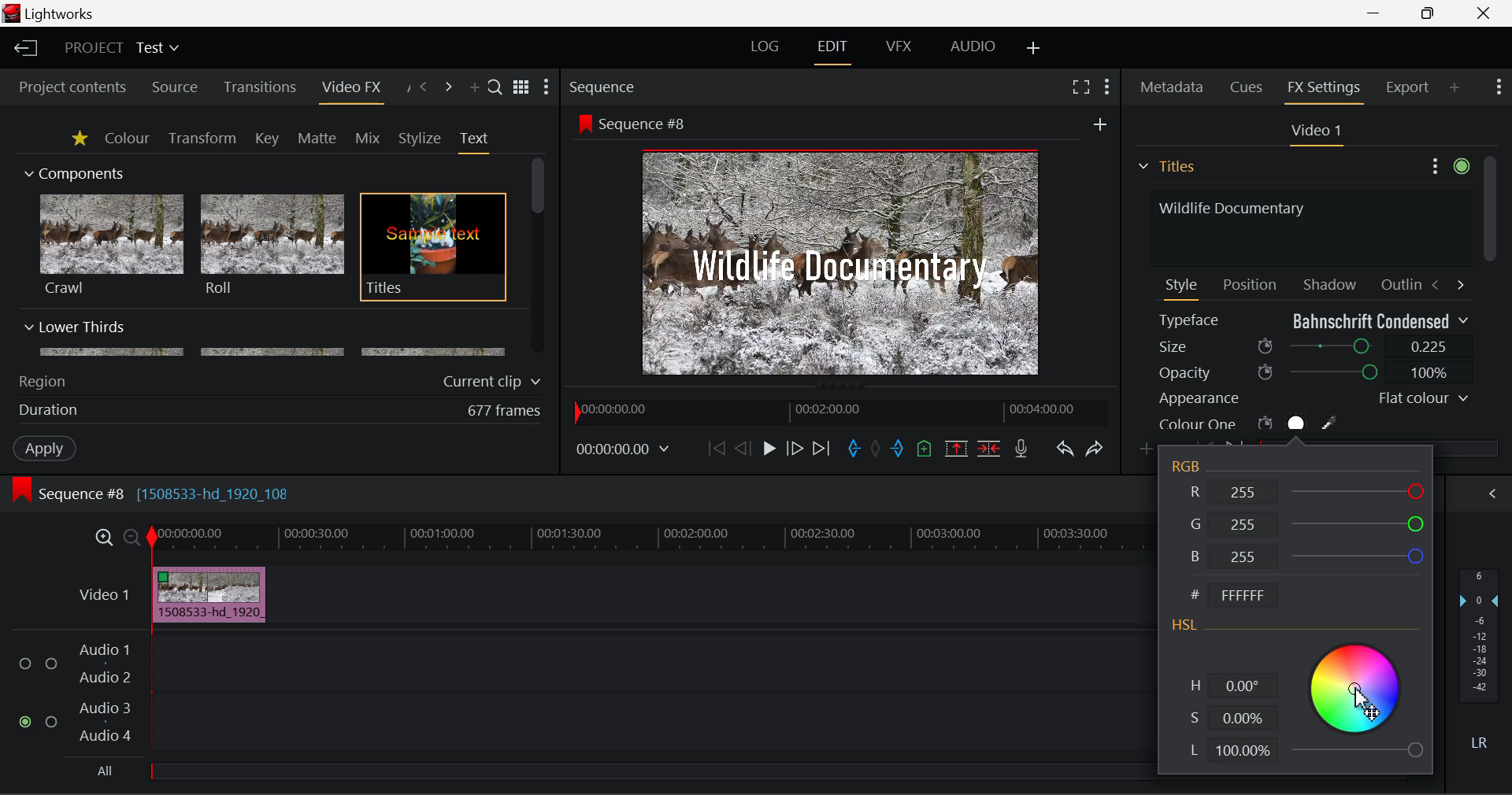 This screenshot has width=1512, height=795. Describe the element at coordinates (28, 723) in the screenshot. I see `checked checkbox` at that location.